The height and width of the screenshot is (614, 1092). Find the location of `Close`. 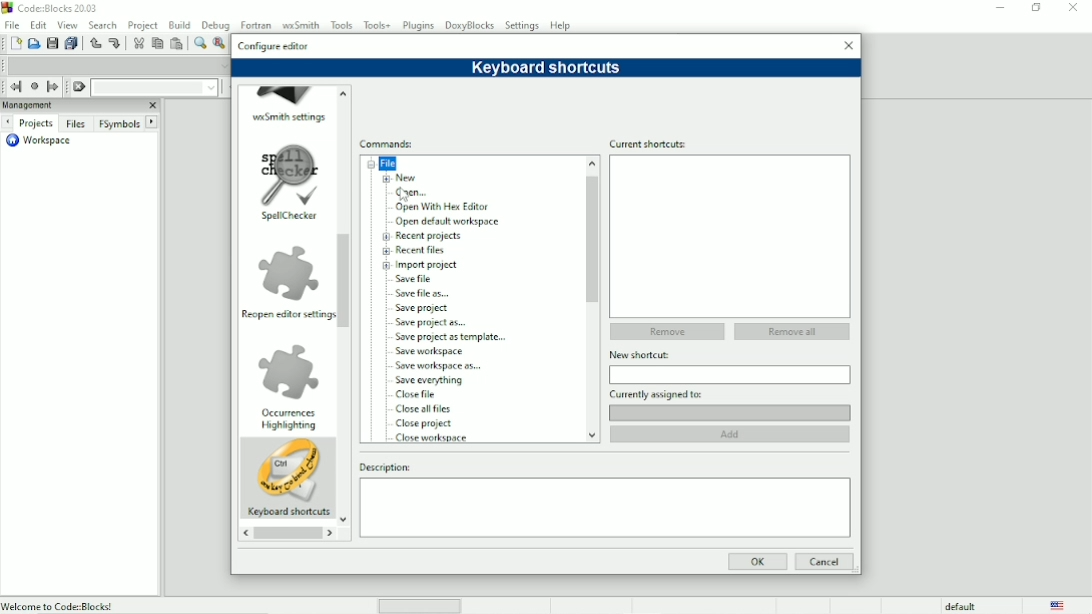

Close is located at coordinates (152, 105).